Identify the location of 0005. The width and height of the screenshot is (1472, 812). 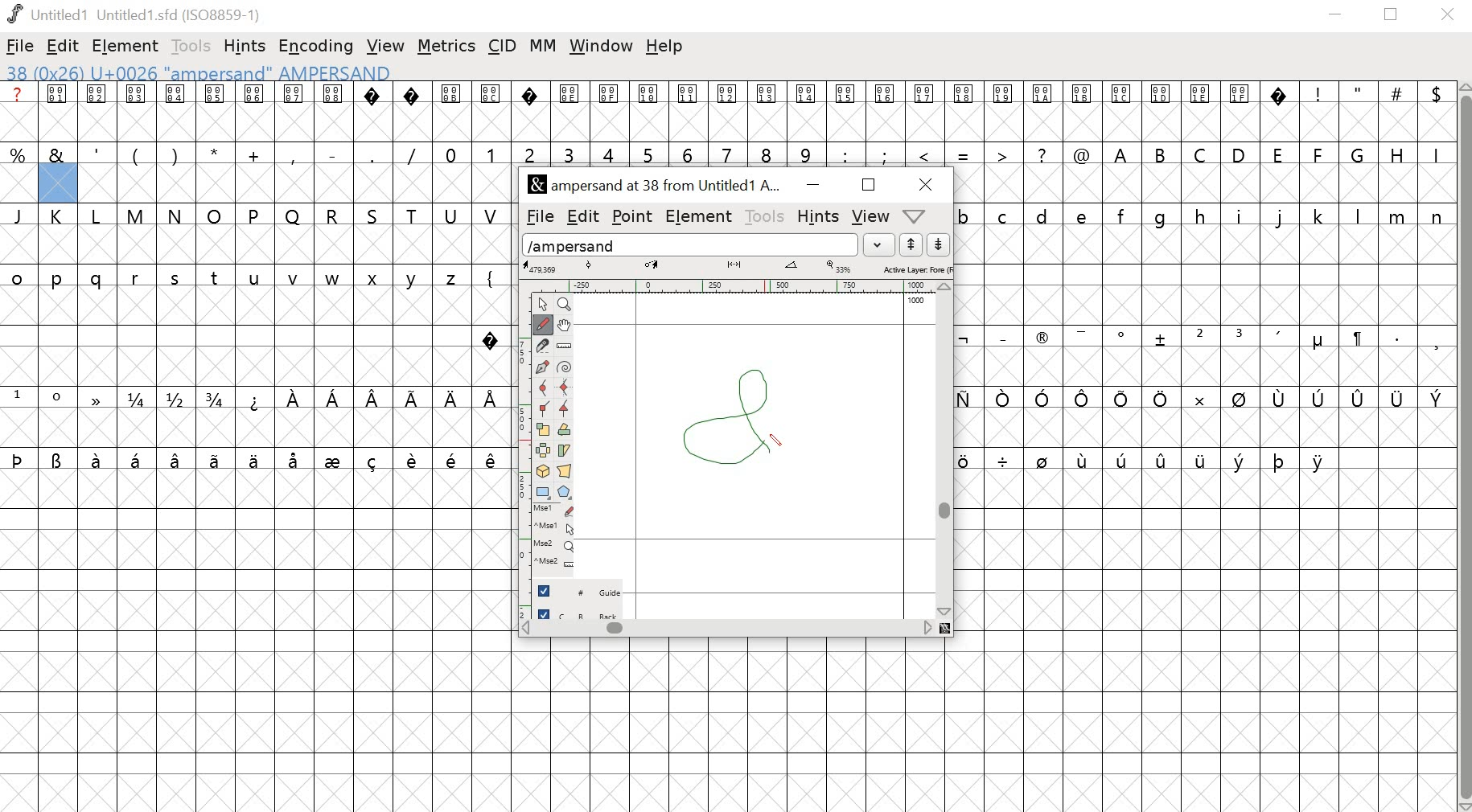
(214, 112).